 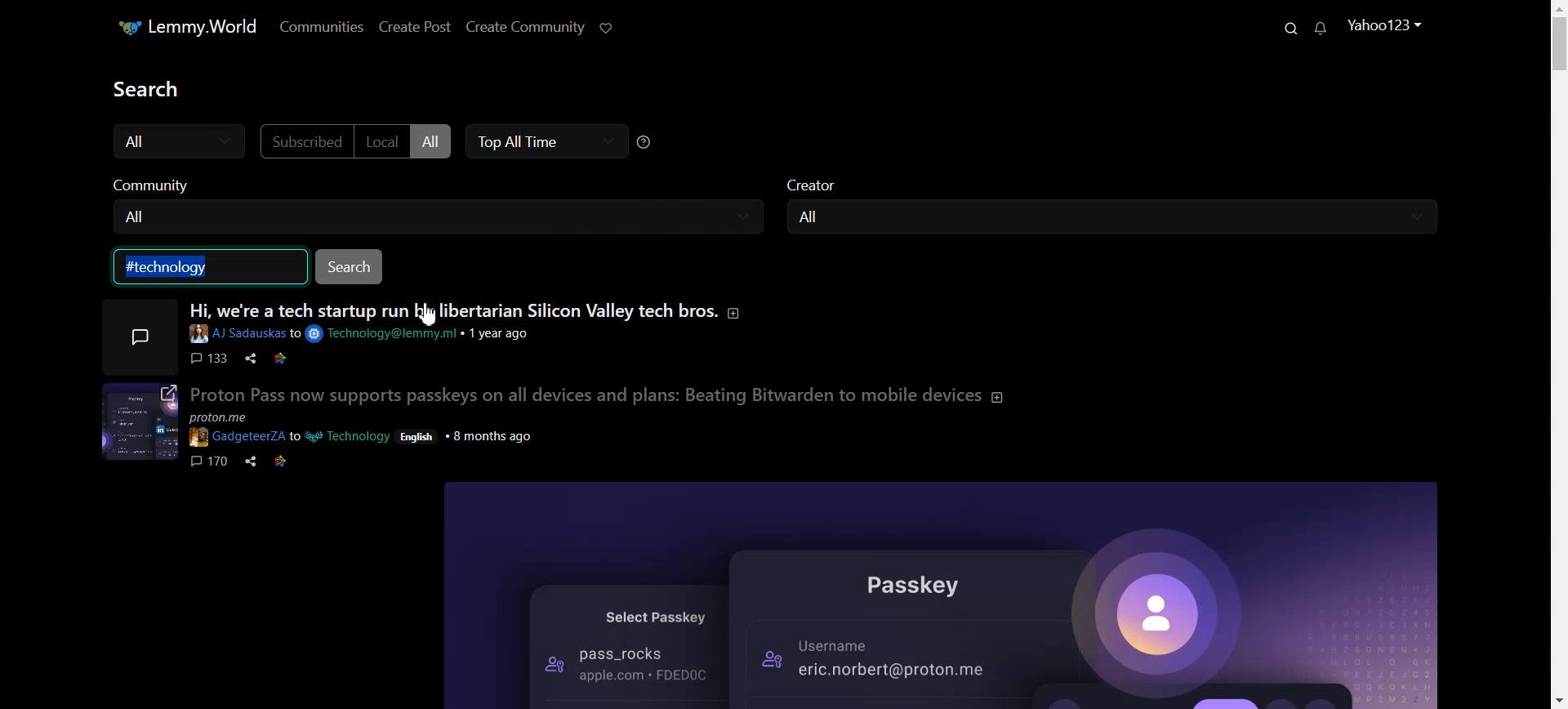 I want to click on All, so click(x=188, y=141).